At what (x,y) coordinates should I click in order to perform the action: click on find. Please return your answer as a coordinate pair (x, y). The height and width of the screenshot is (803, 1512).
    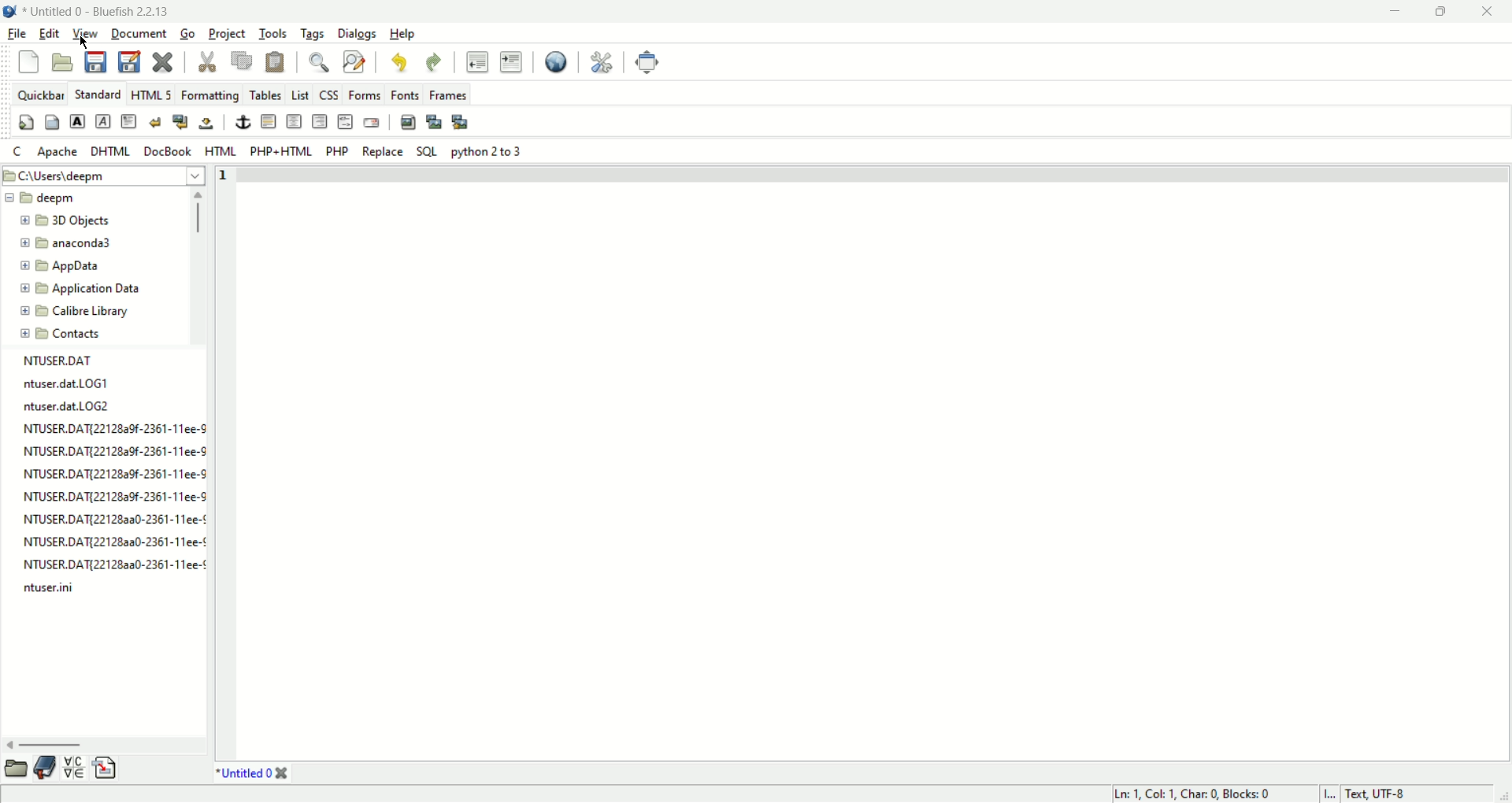
    Looking at the image, I should click on (322, 62).